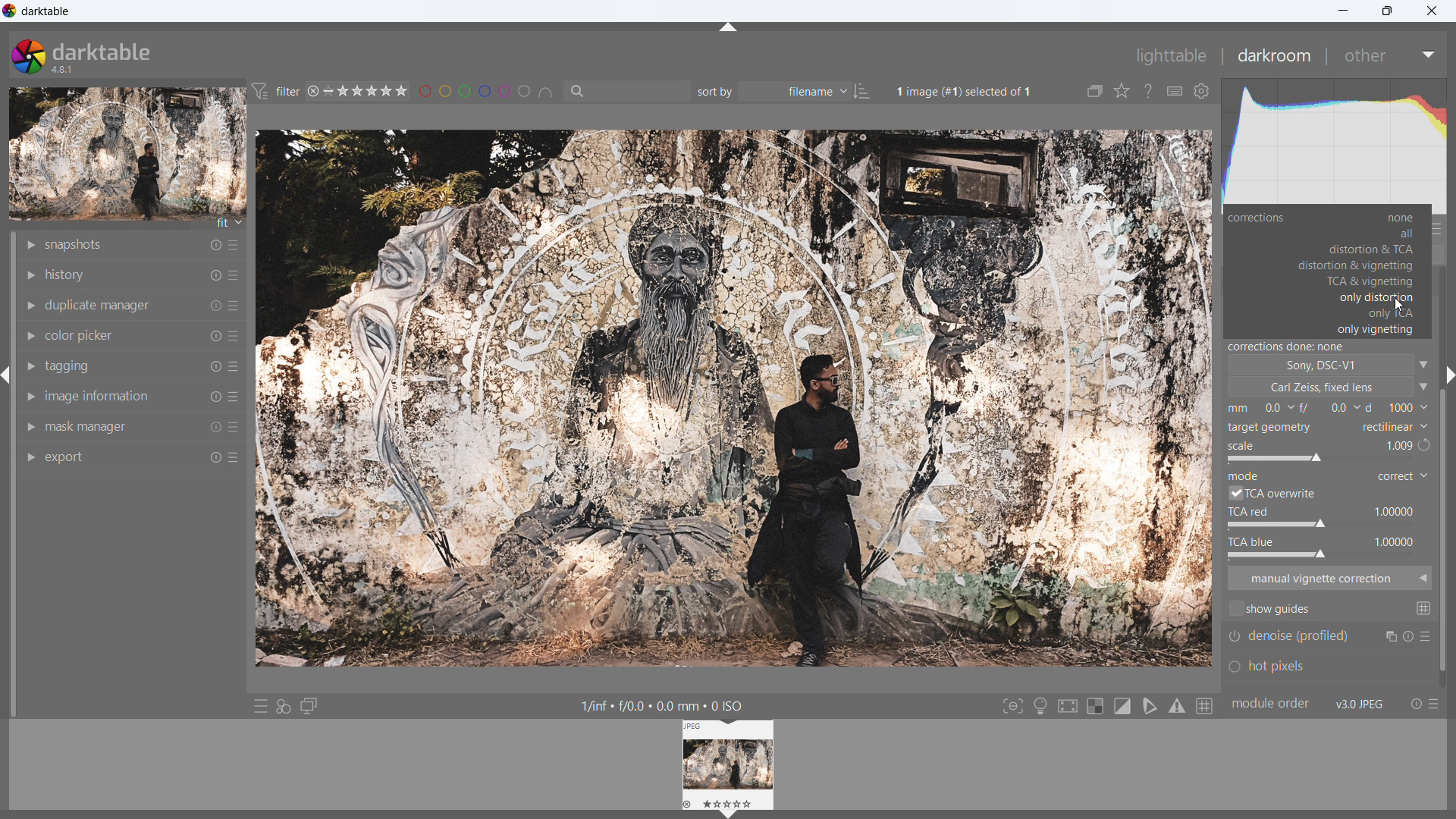 The width and height of the screenshot is (1456, 819). What do you see at coordinates (1345, 11) in the screenshot?
I see `minimize` at bounding box center [1345, 11].